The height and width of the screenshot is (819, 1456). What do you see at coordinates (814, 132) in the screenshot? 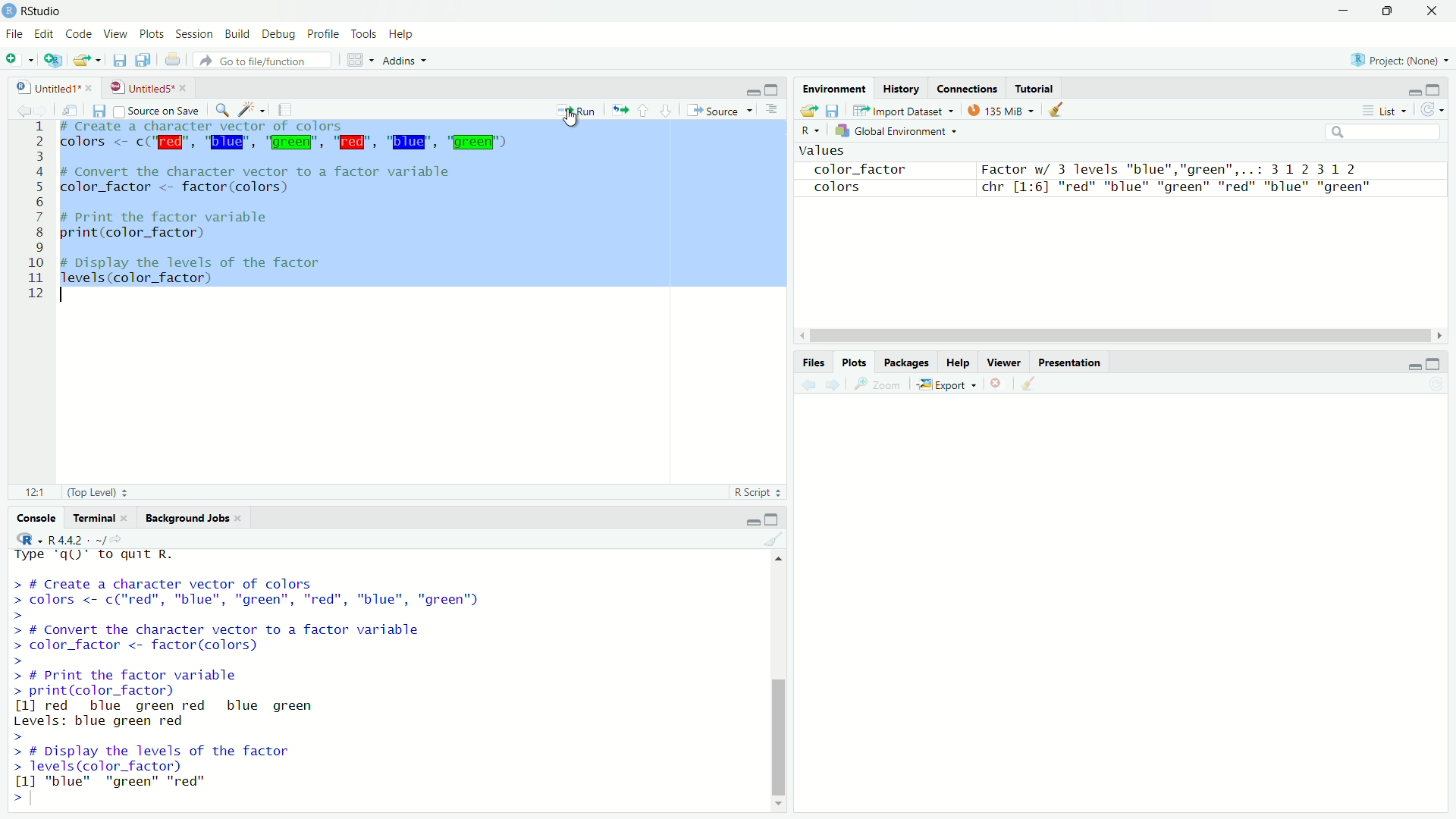
I see `select language` at bounding box center [814, 132].